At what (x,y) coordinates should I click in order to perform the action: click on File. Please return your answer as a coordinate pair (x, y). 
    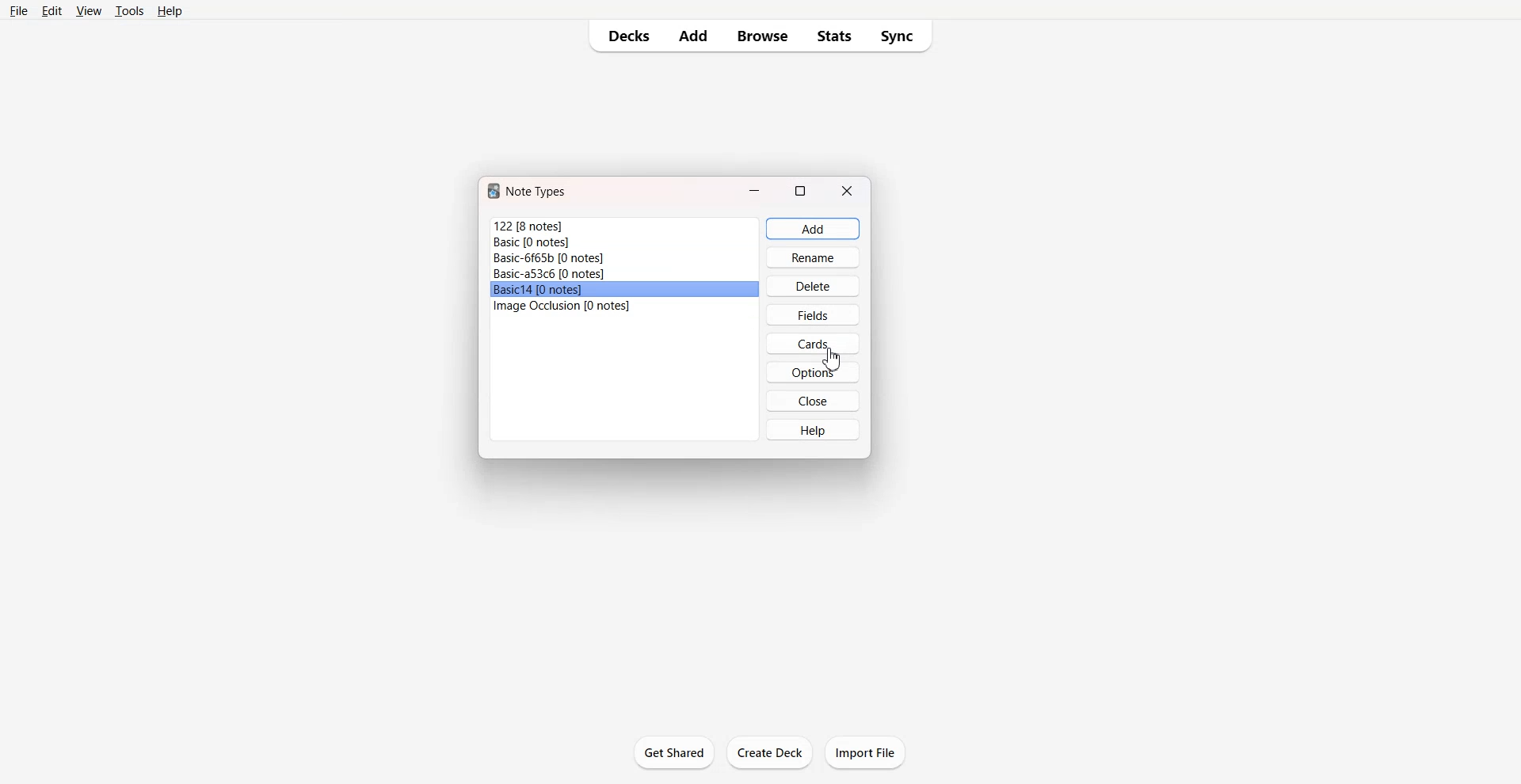
    Looking at the image, I should click on (625, 242).